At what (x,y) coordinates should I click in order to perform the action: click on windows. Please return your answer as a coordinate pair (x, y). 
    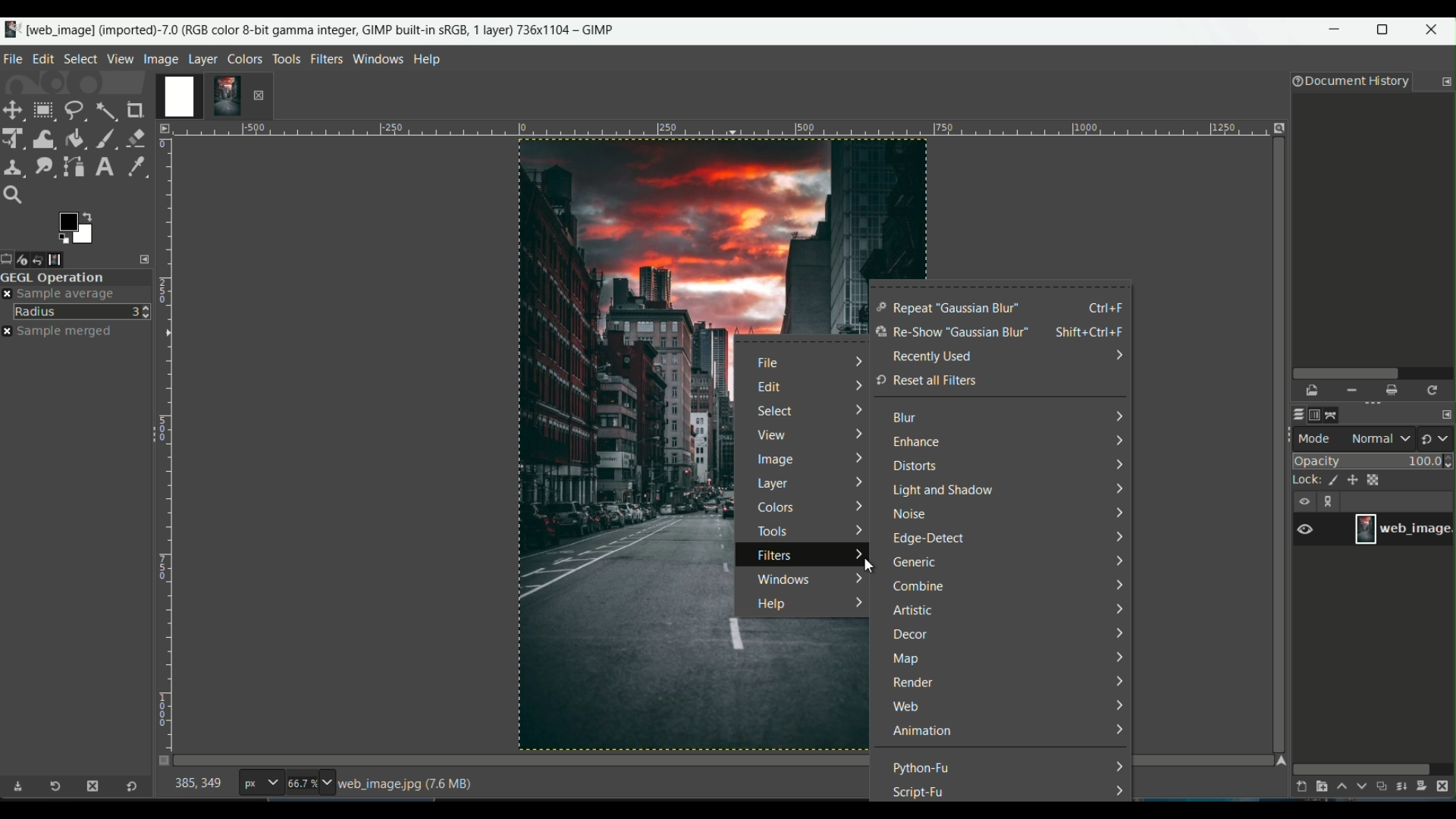
    Looking at the image, I should click on (781, 578).